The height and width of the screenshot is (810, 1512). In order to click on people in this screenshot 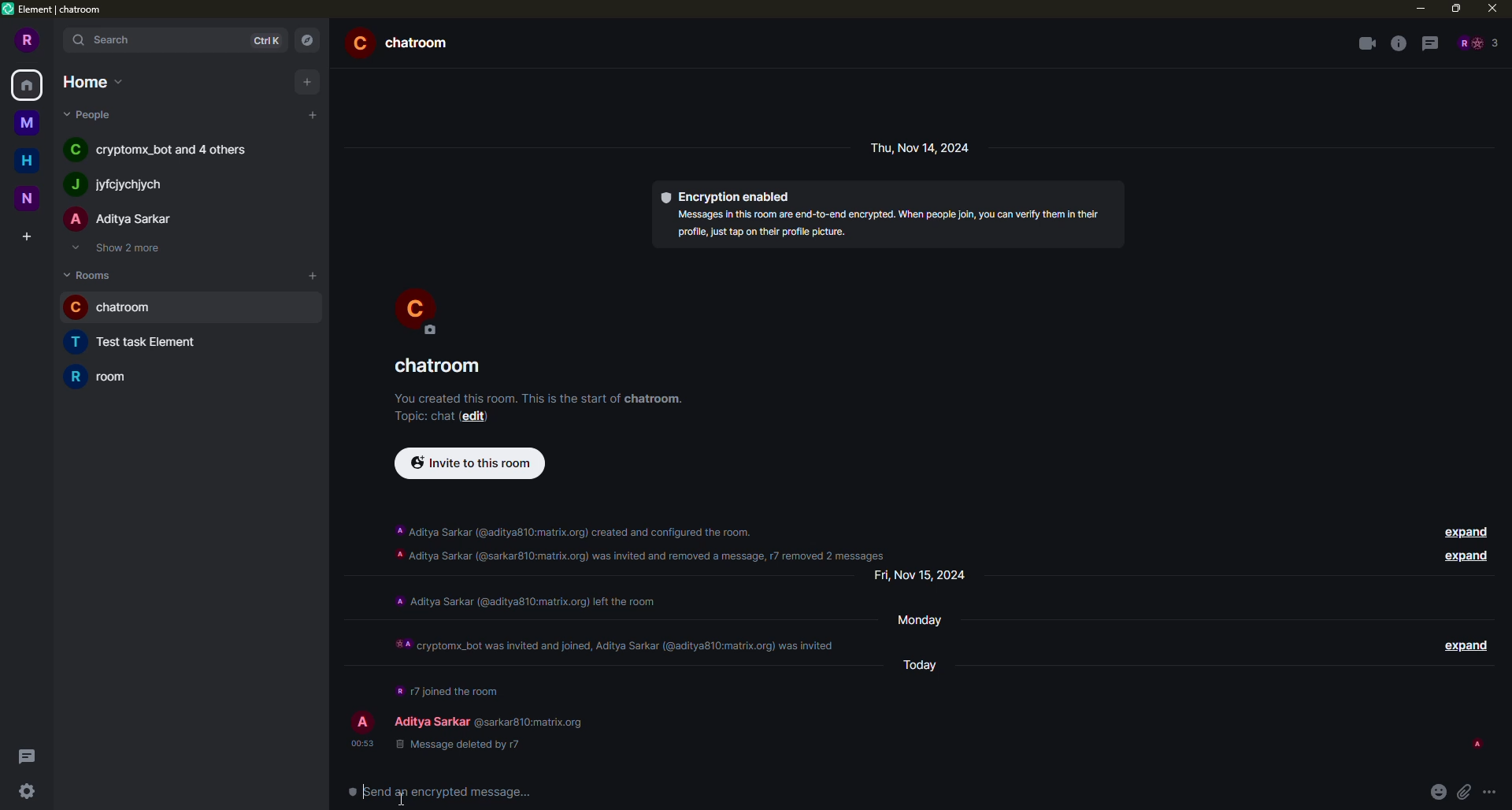, I will do `click(432, 720)`.